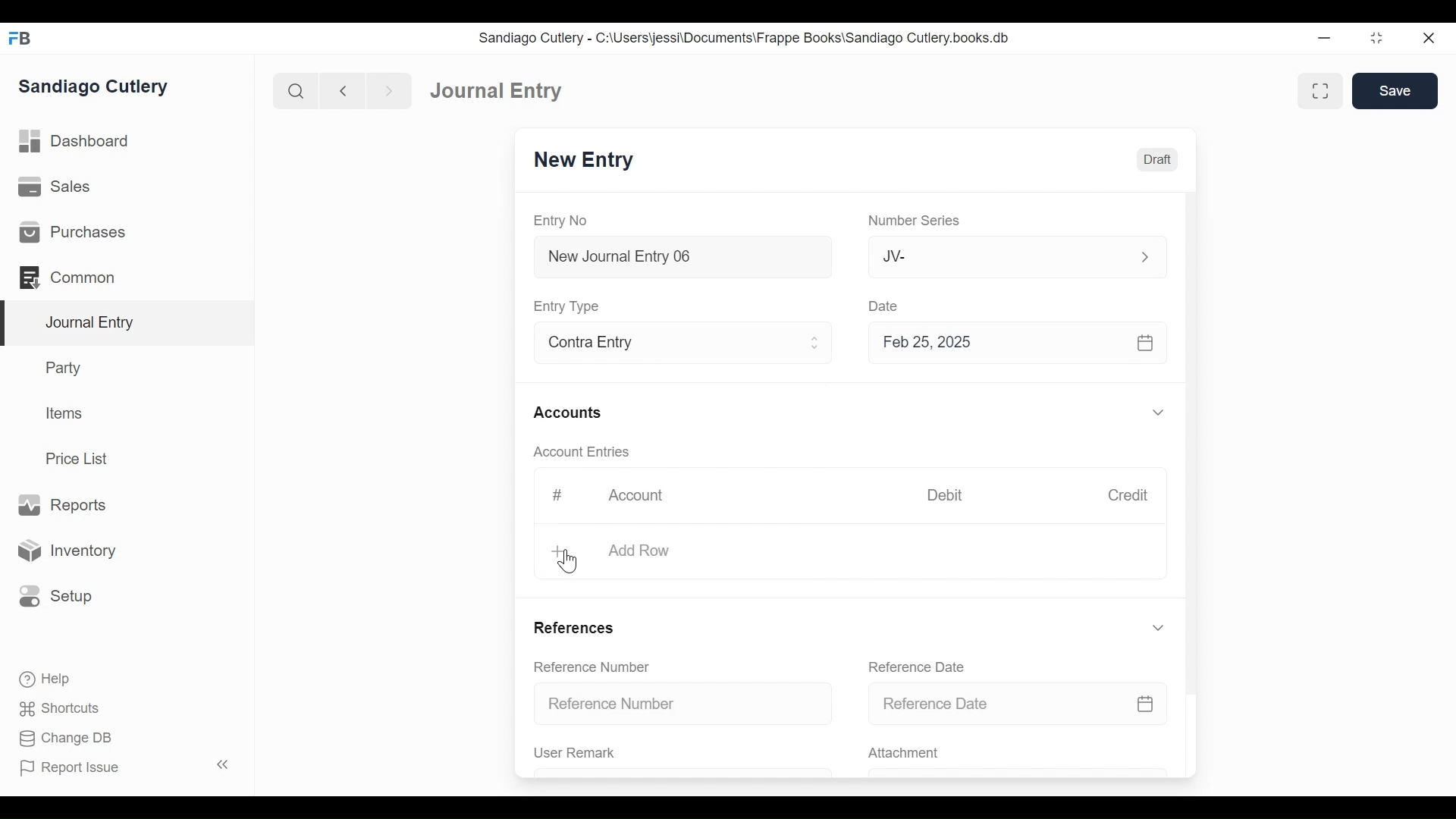 The width and height of the screenshot is (1456, 819). What do you see at coordinates (1395, 90) in the screenshot?
I see `Save` at bounding box center [1395, 90].